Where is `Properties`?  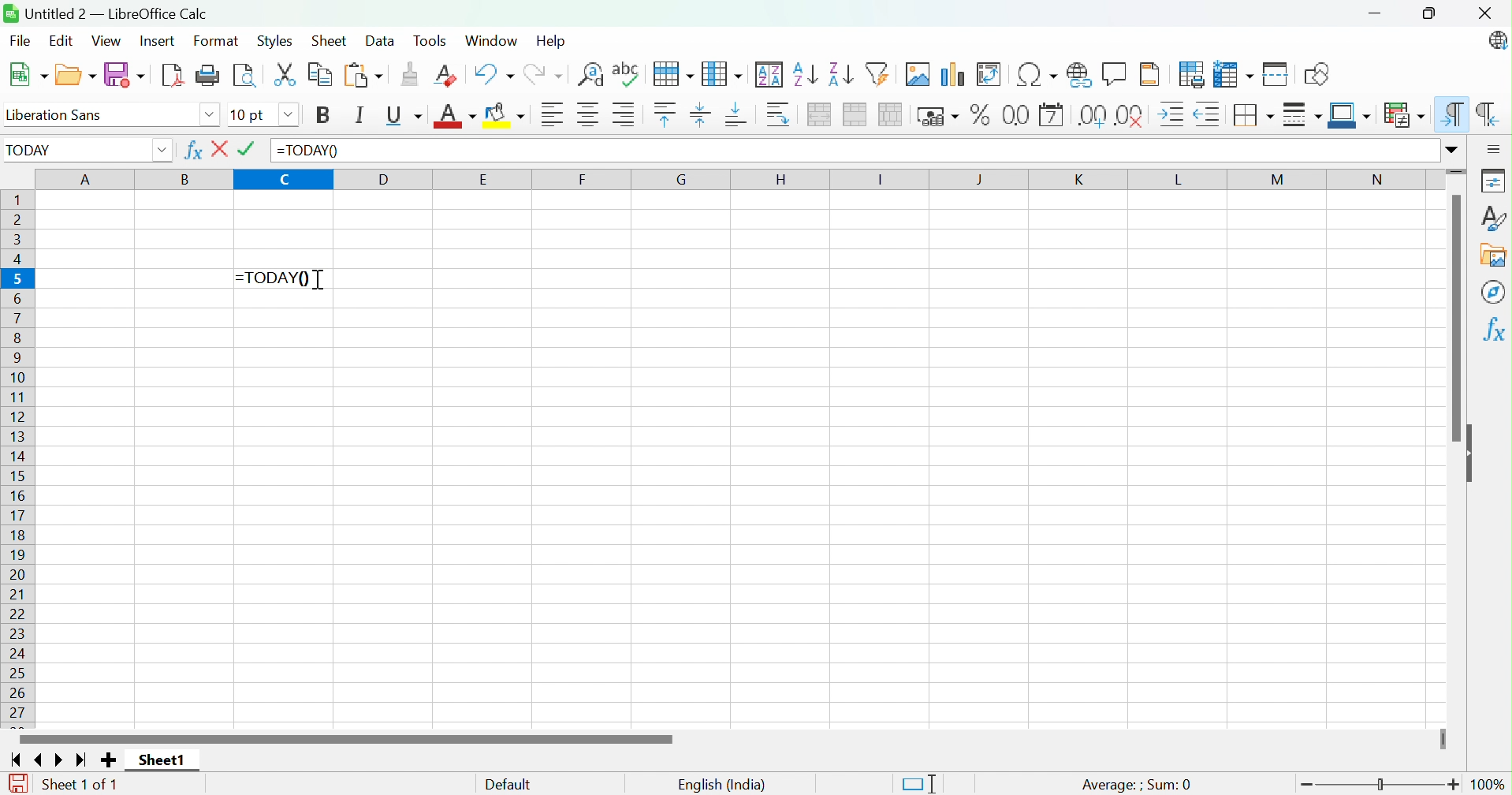
Properties is located at coordinates (1492, 179).